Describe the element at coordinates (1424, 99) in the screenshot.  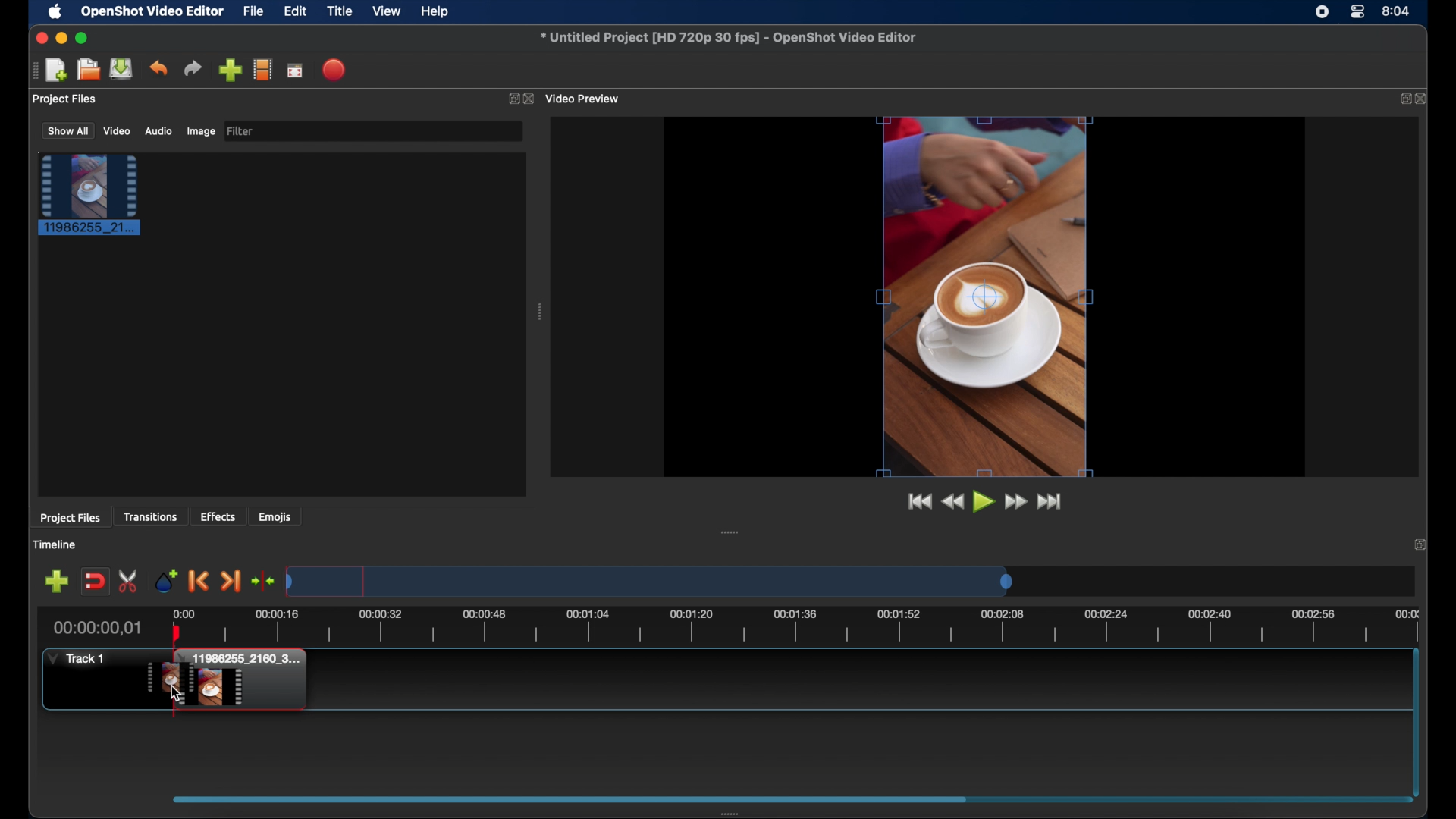
I see `close` at that location.